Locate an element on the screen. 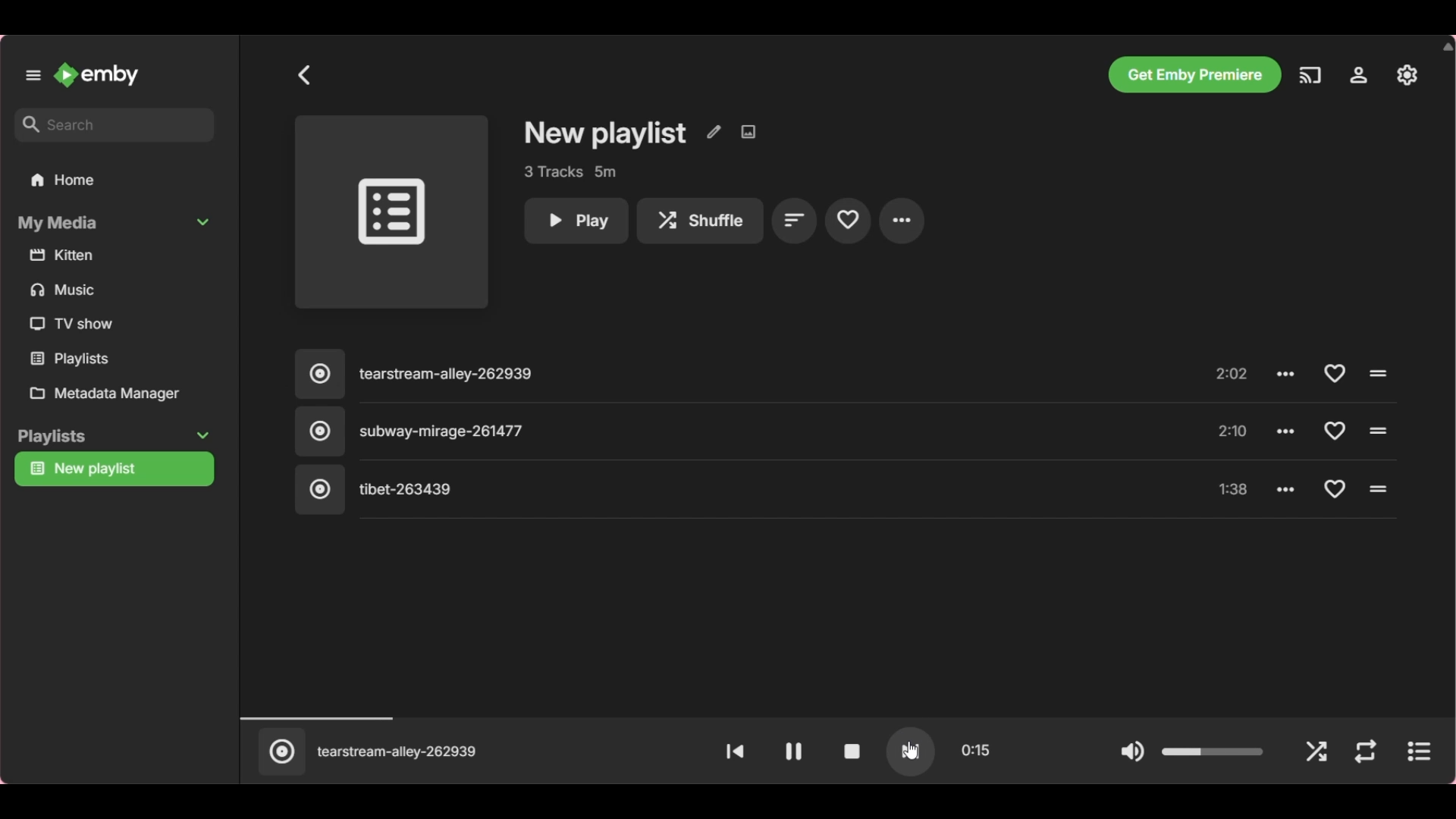  Edit metadata is located at coordinates (712, 133).